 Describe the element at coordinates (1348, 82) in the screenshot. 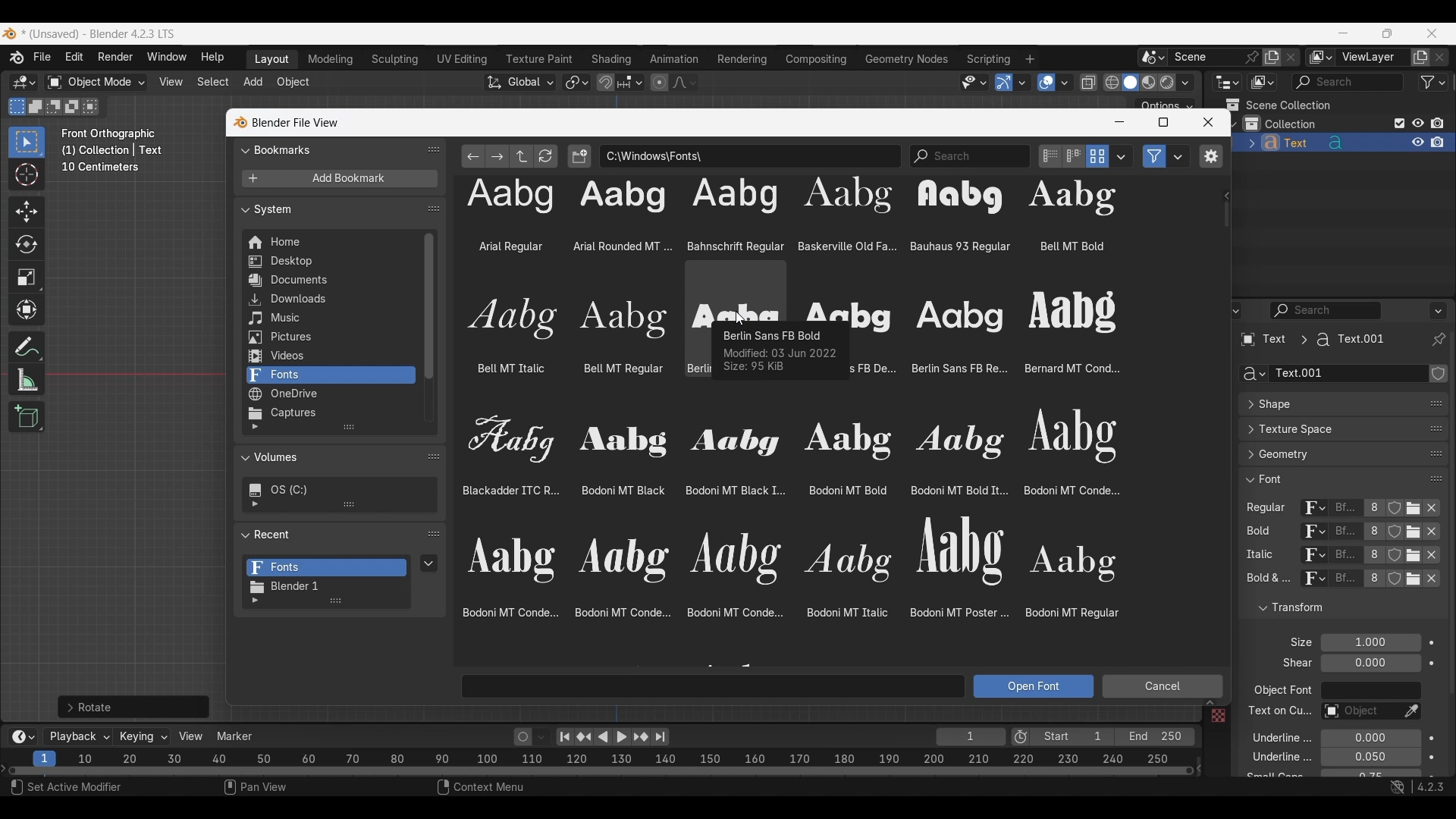

I see `Display filter` at that location.